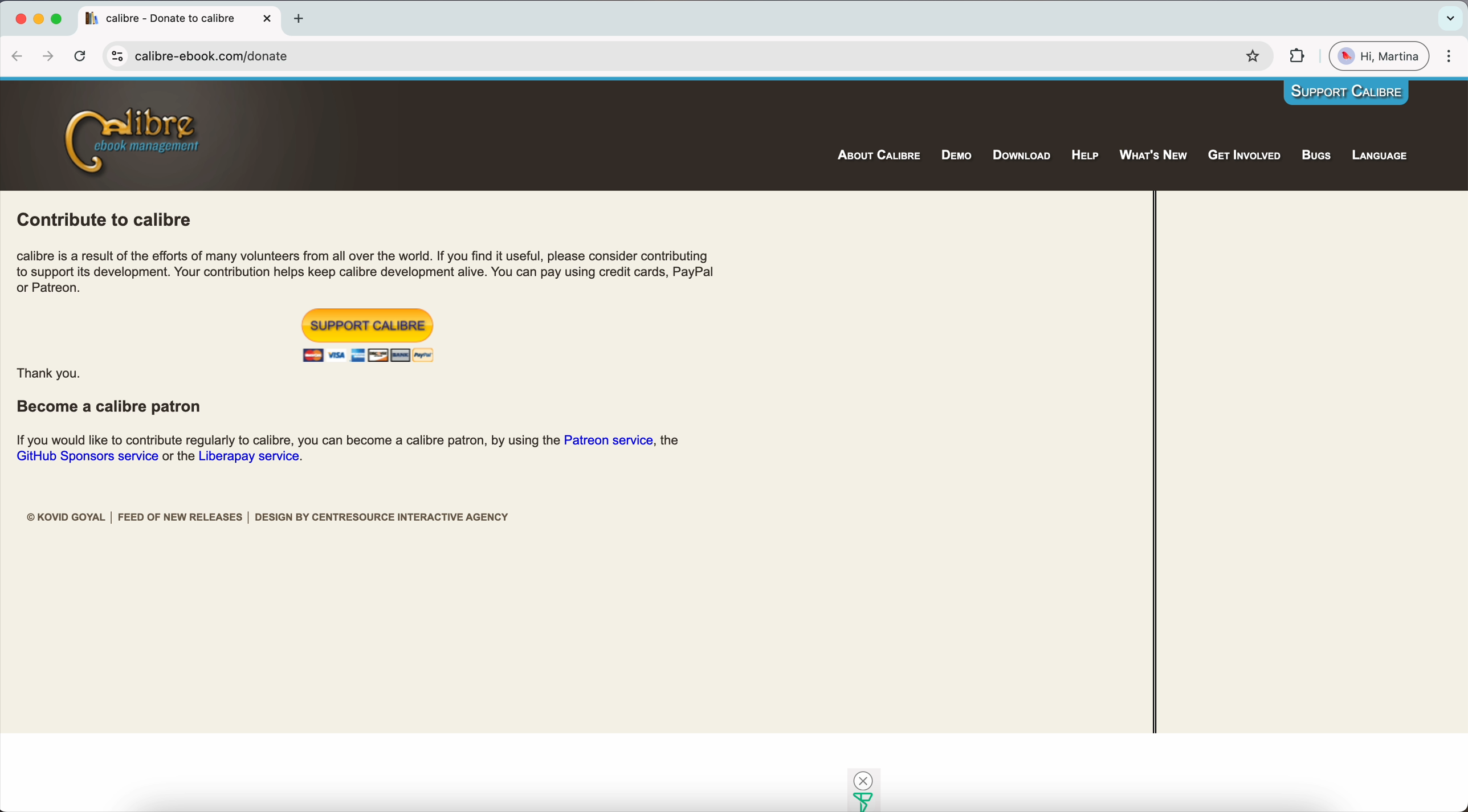  What do you see at coordinates (1087, 155) in the screenshot?
I see `help` at bounding box center [1087, 155].